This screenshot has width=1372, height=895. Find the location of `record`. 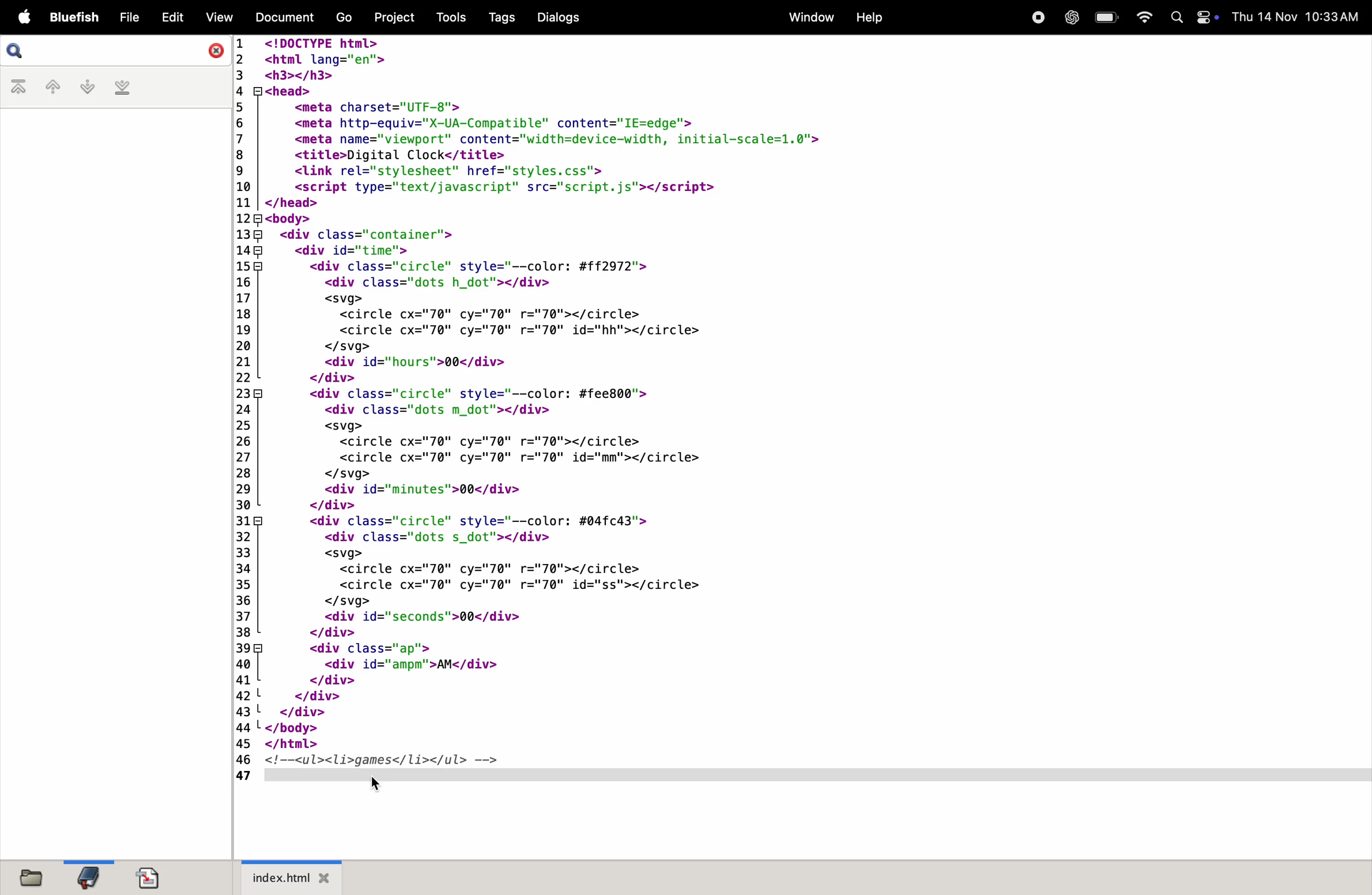

record is located at coordinates (1037, 18).